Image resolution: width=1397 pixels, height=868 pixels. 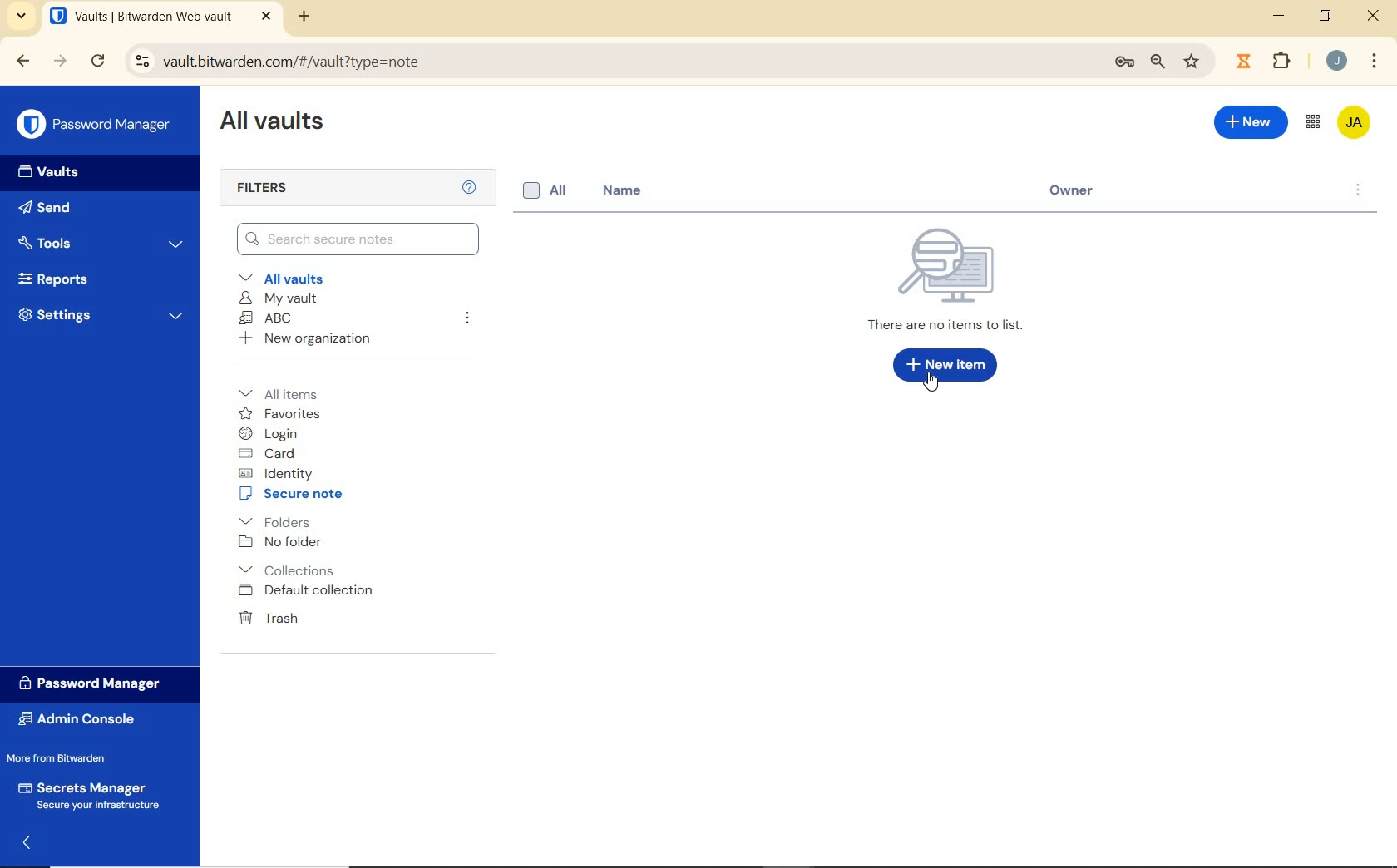 What do you see at coordinates (958, 323) in the screenshot?
I see `There are no items to list` at bounding box center [958, 323].